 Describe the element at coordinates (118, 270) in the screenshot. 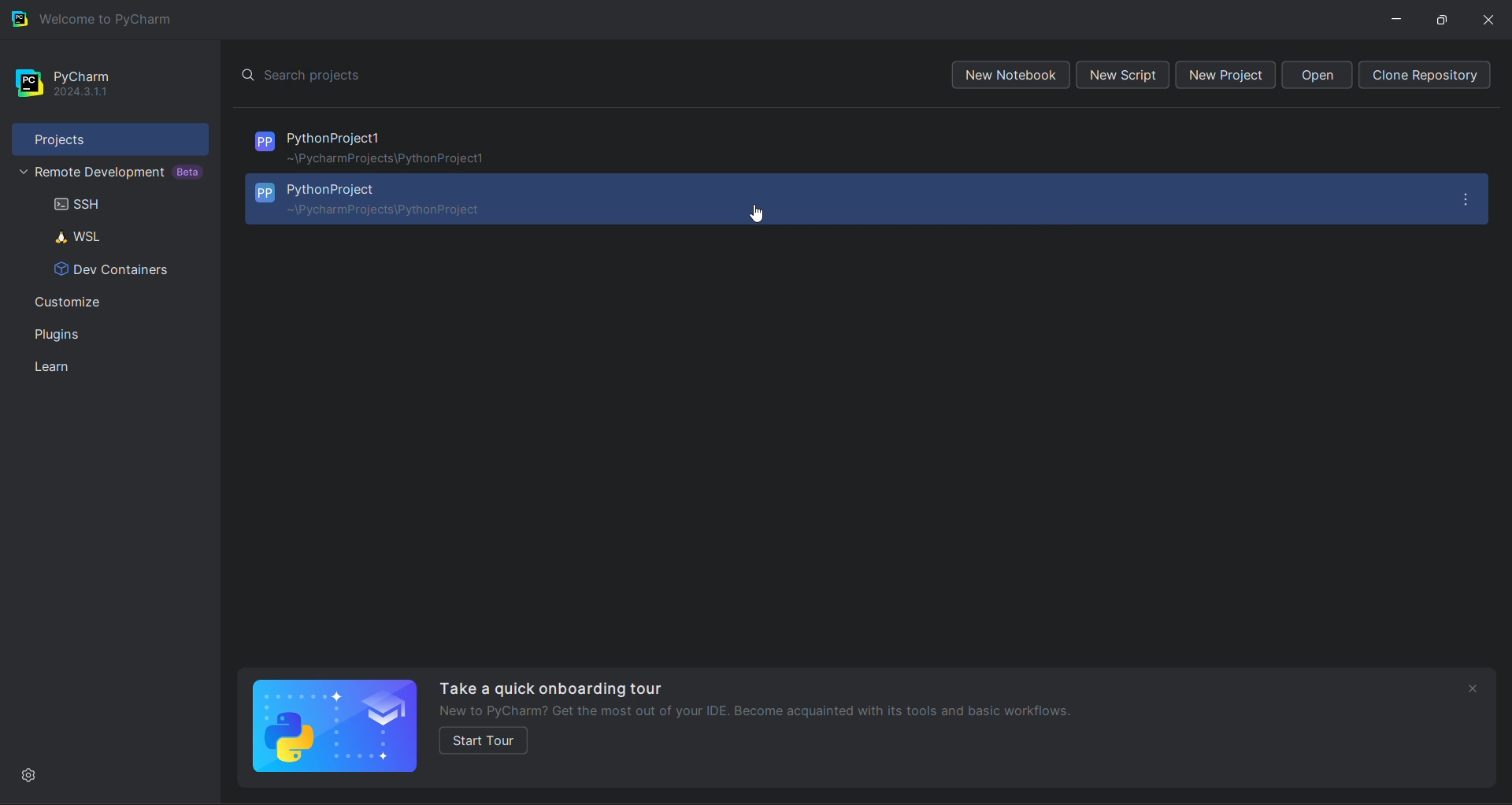

I see `dev container` at that location.